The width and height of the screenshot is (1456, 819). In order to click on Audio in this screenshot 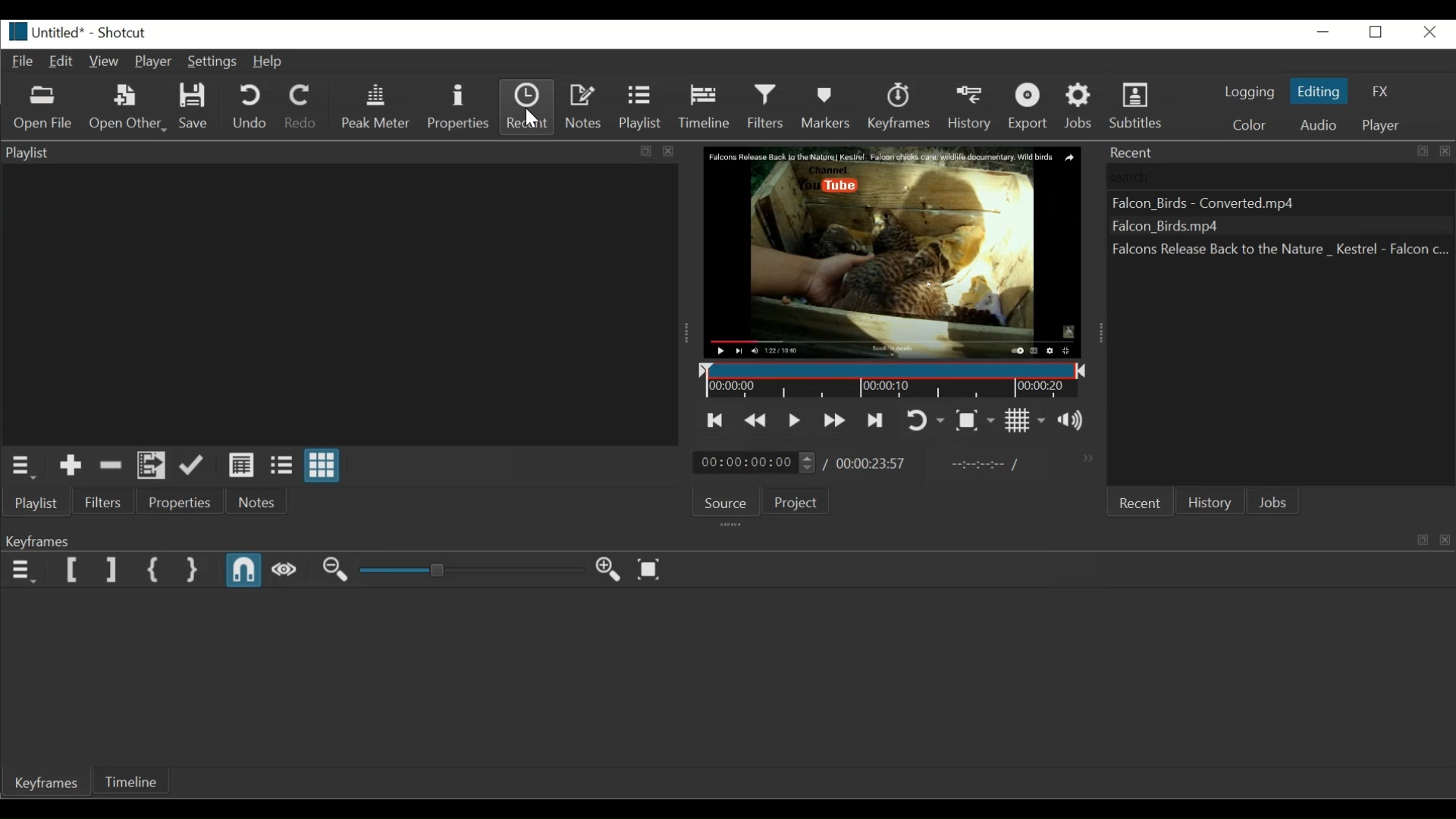, I will do `click(1319, 126)`.